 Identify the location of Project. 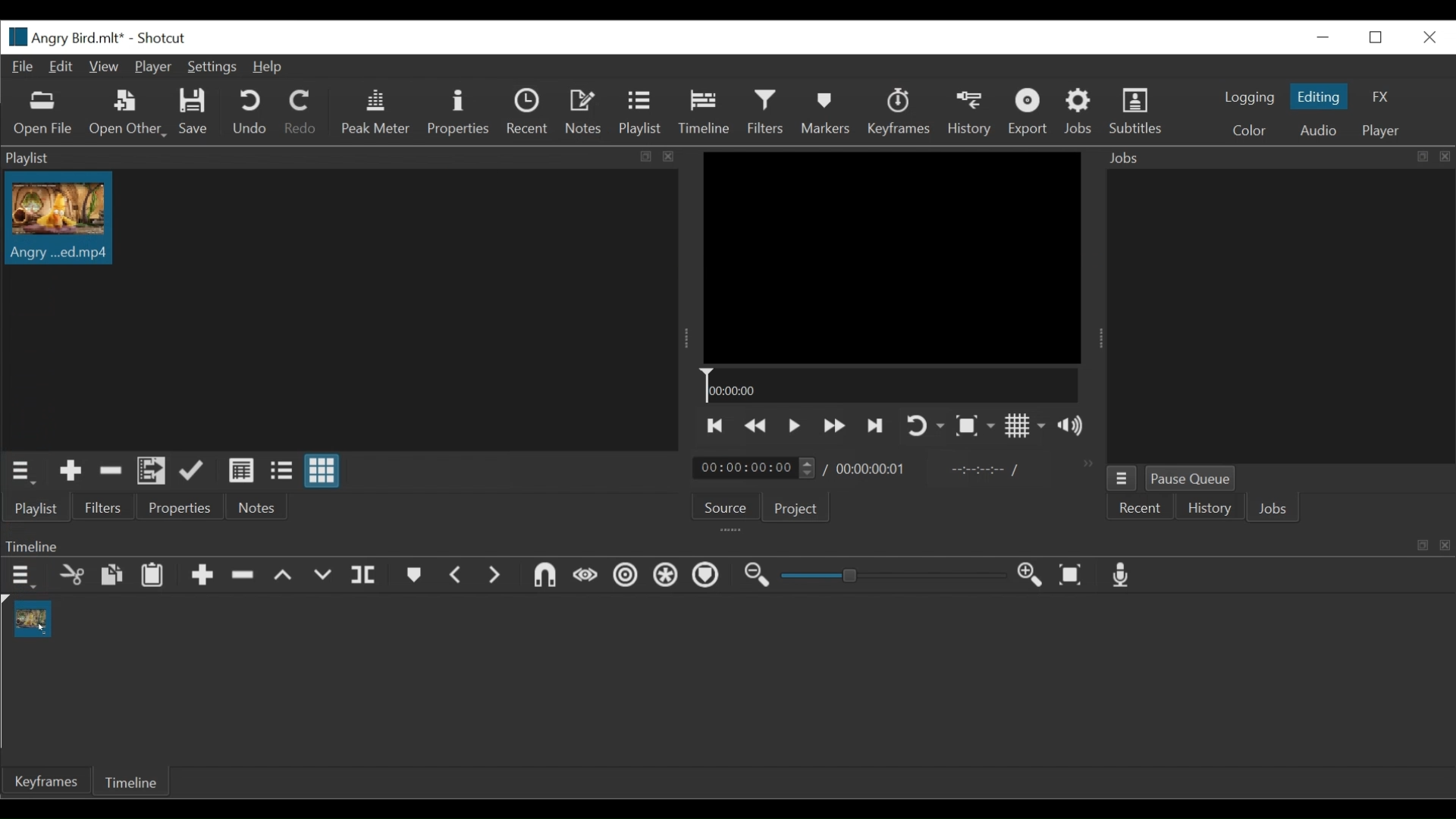
(795, 508).